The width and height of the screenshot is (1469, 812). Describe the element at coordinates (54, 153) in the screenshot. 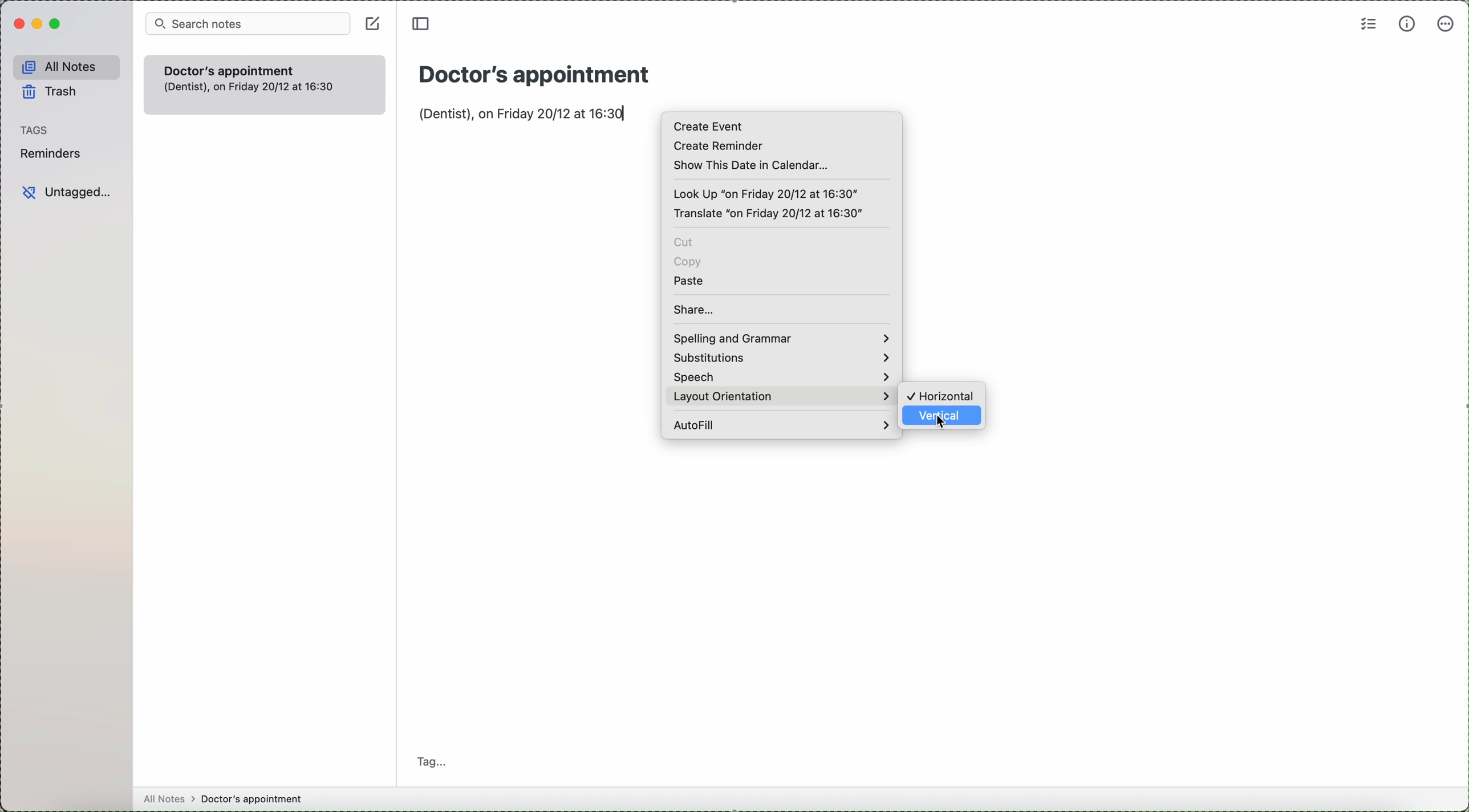

I see `reminders` at that location.